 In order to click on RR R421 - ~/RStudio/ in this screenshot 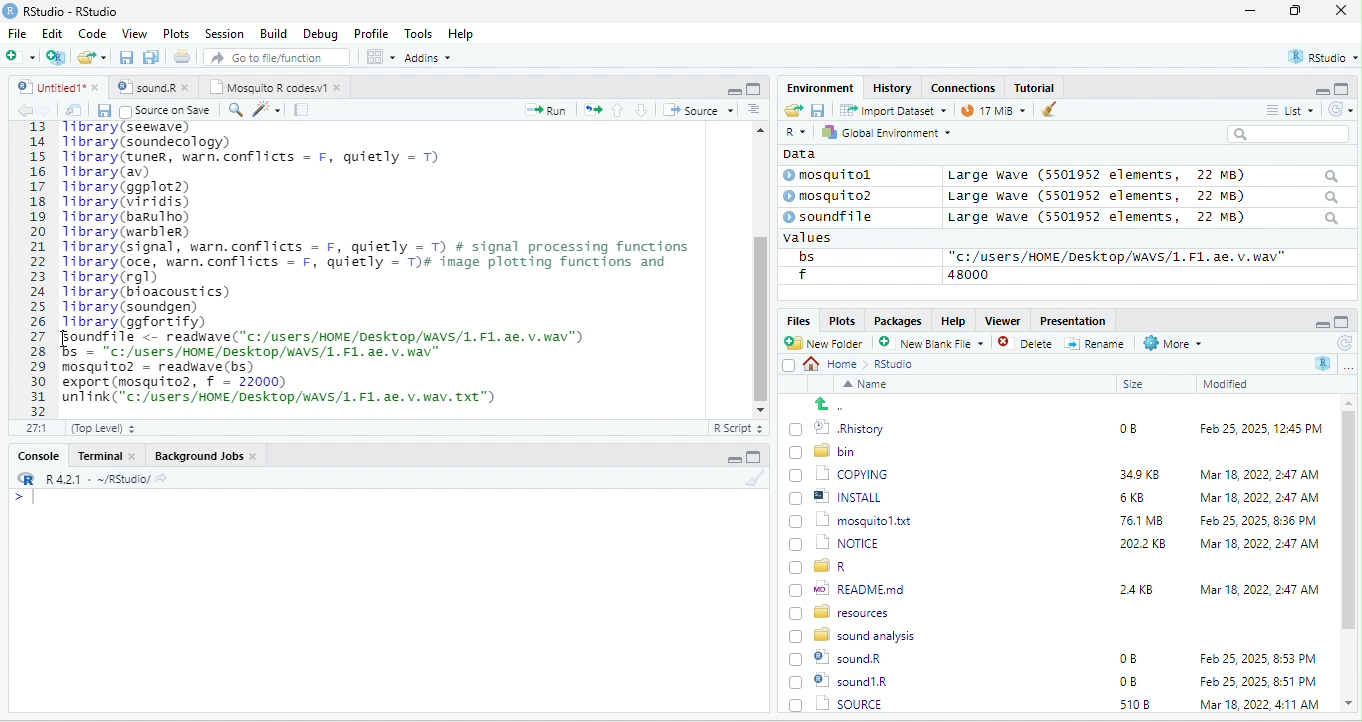, I will do `click(87, 481)`.